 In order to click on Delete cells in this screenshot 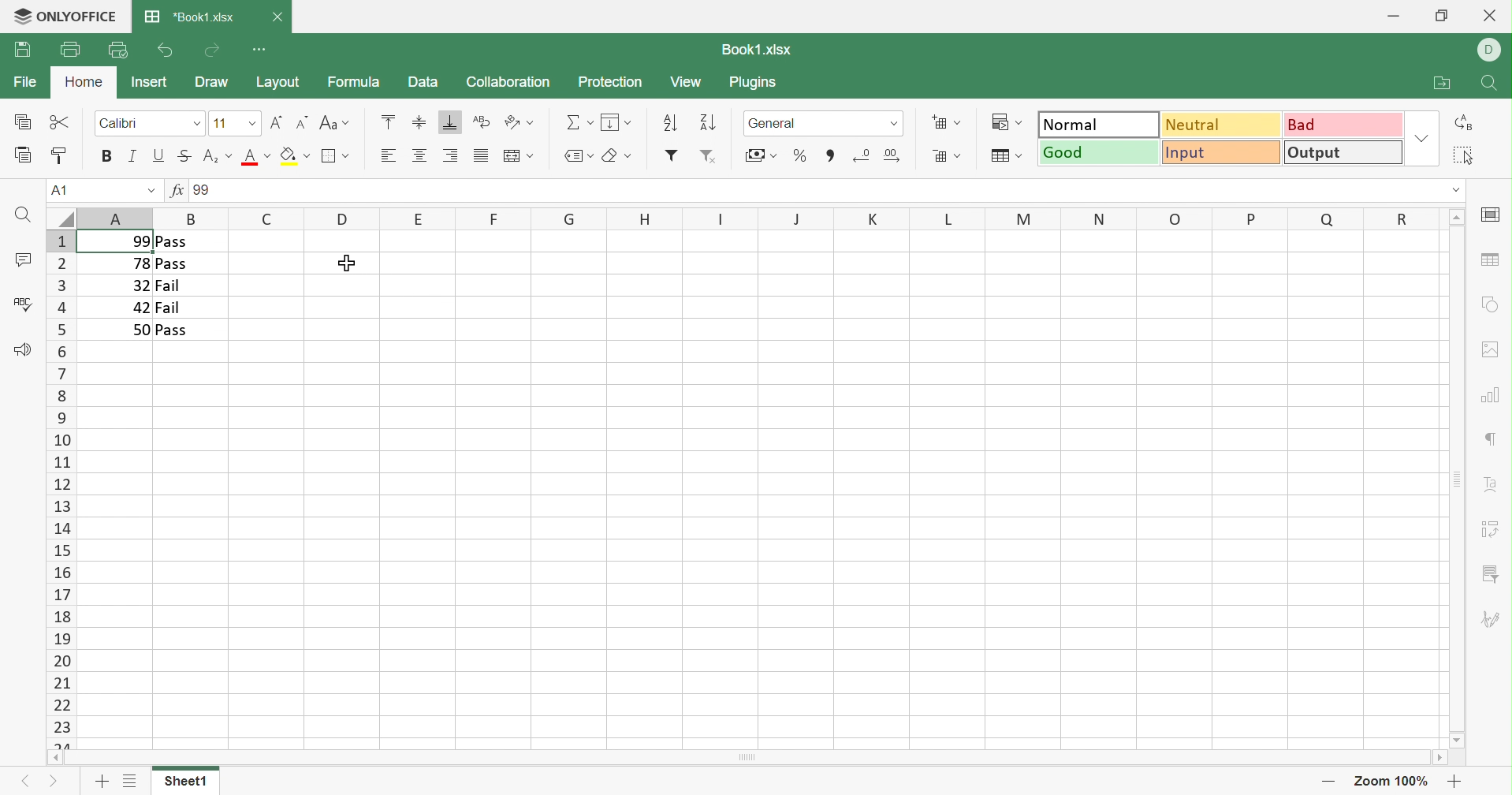, I will do `click(945, 155)`.